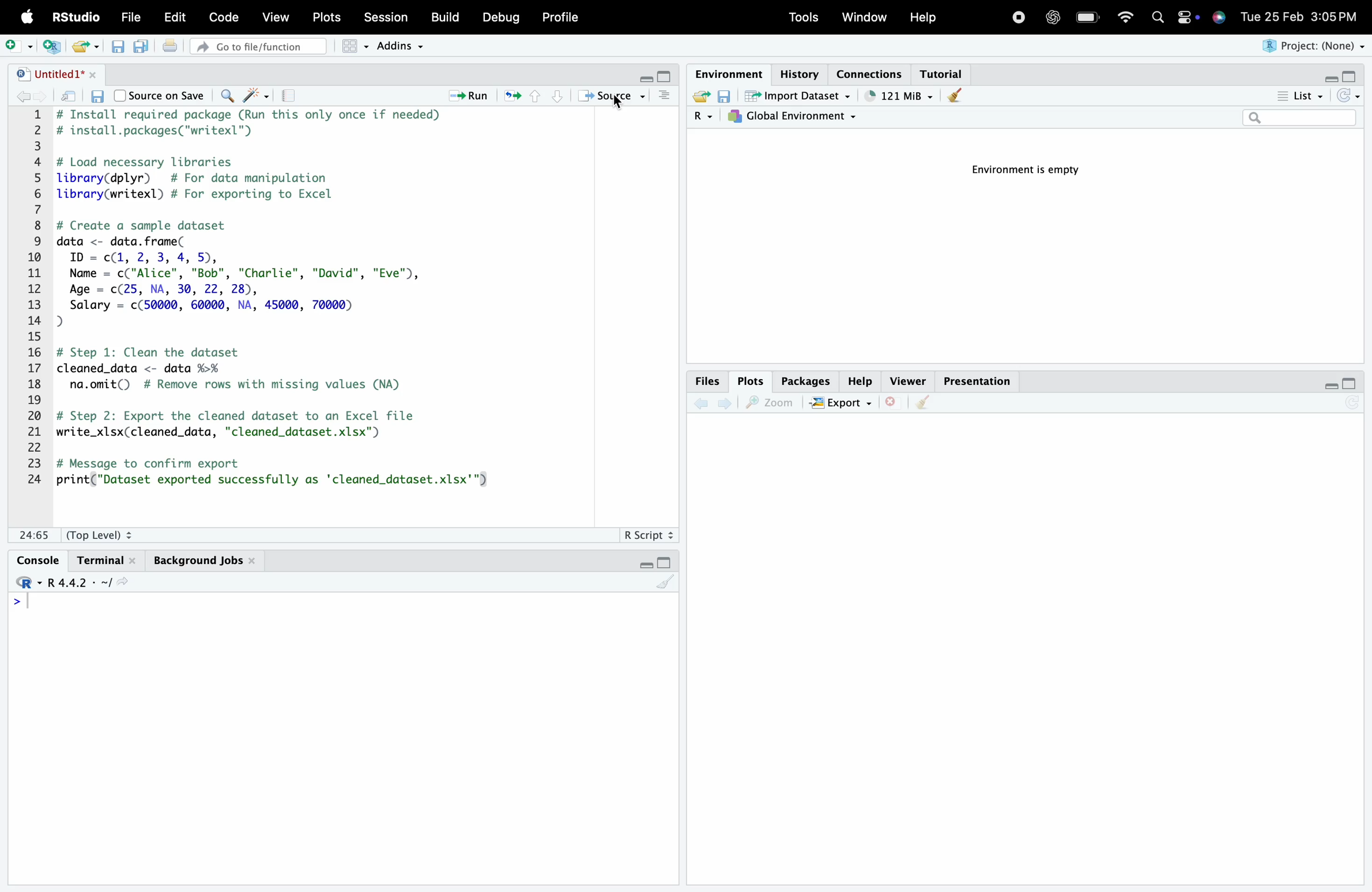 Image resolution: width=1372 pixels, height=892 pixels. I want to click on Edit, so click(174, 16).